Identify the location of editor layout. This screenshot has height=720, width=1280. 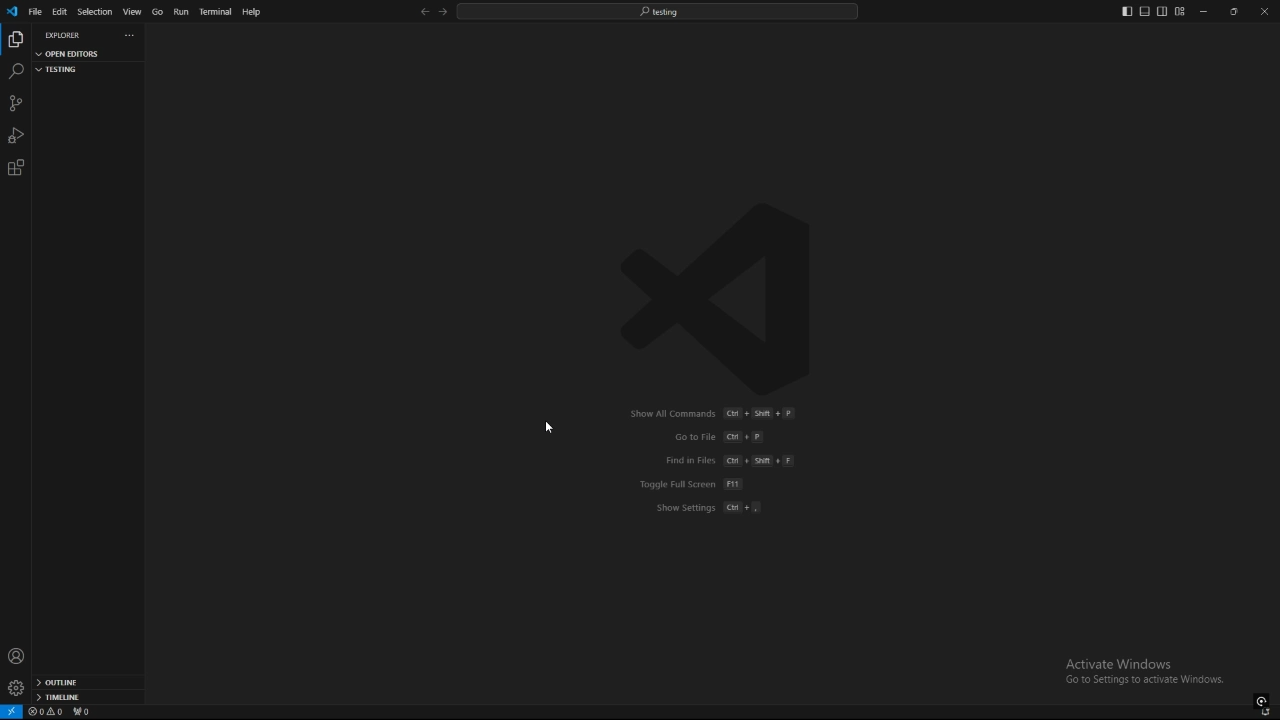
(1153, 11).